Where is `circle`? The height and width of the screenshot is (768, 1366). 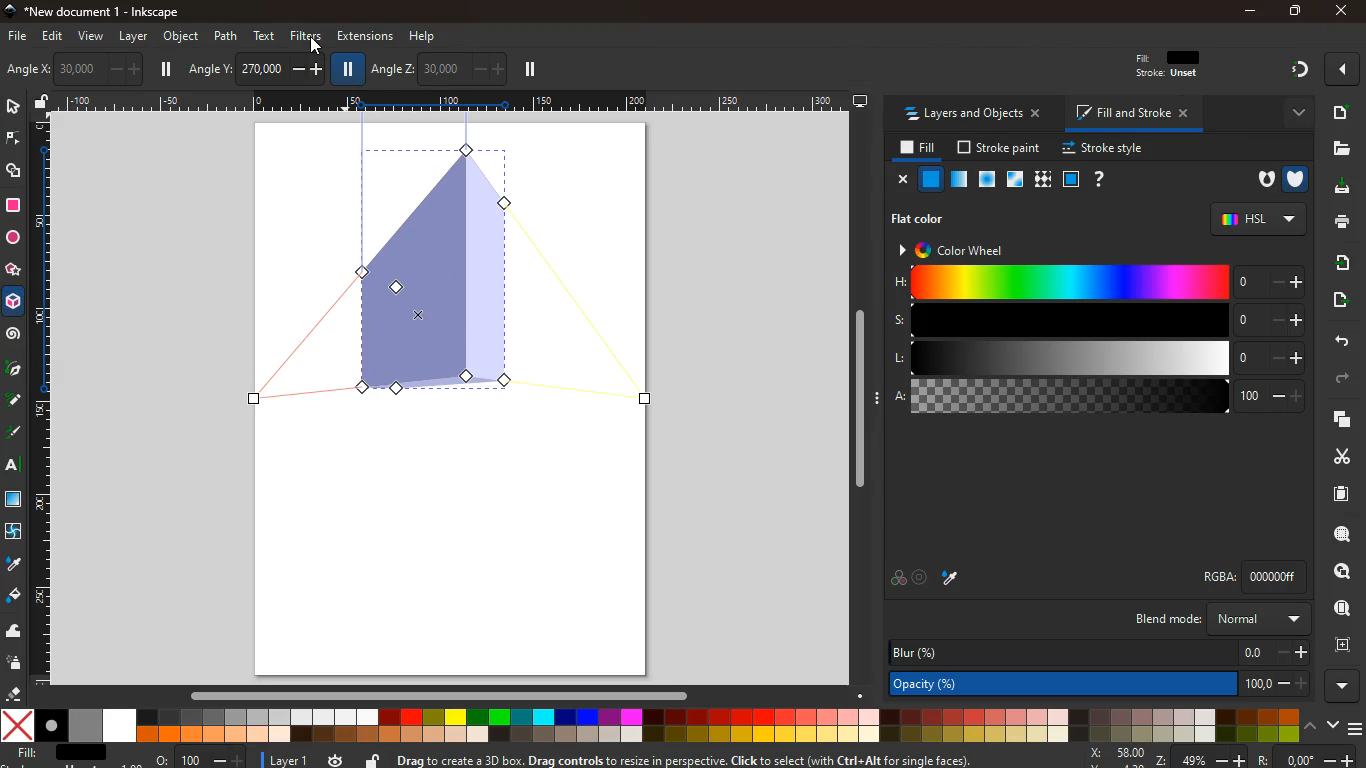 circle is located at coordinates (12, 237).